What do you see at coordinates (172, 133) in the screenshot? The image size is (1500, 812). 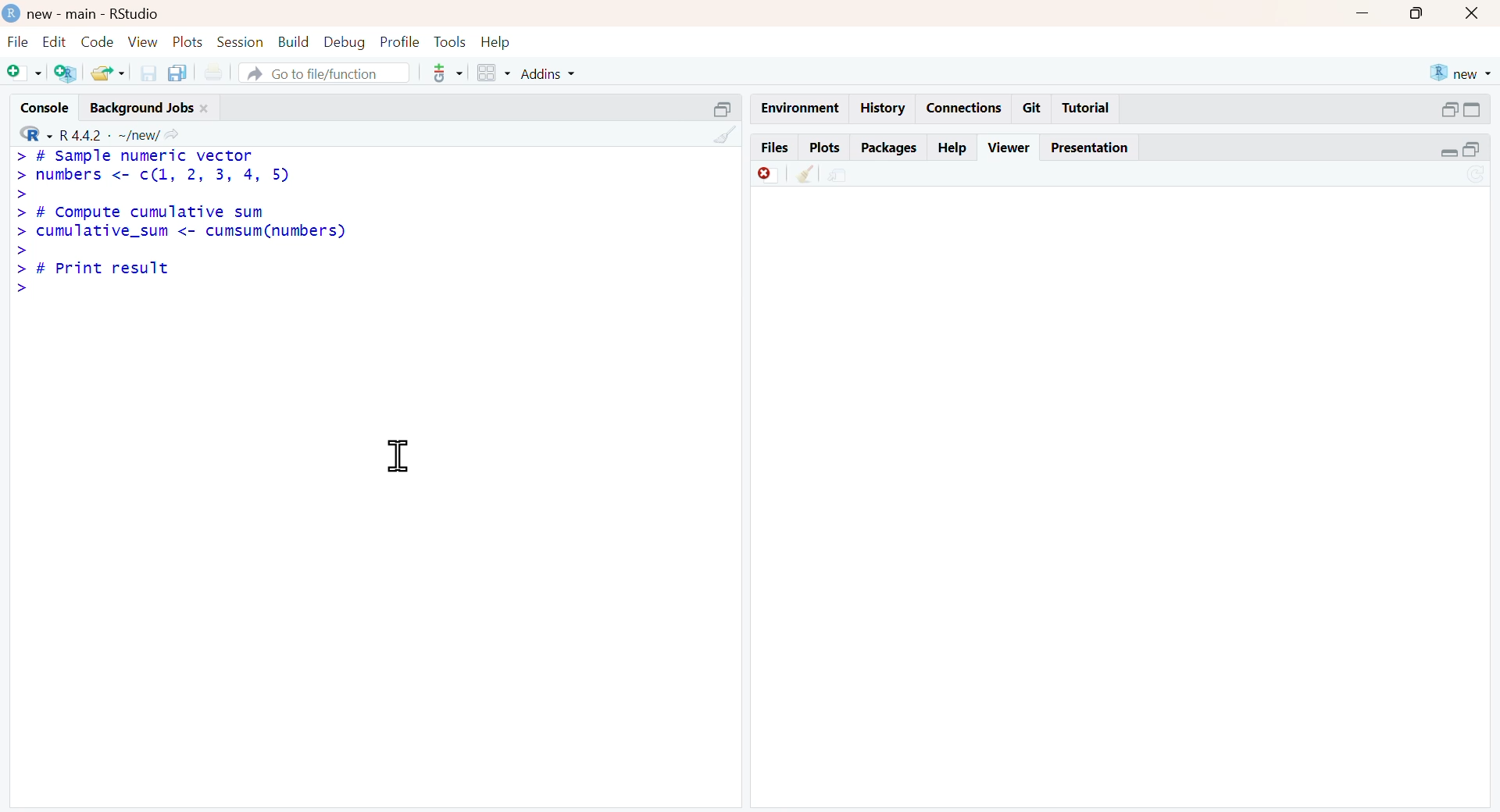 I see `Share icon` at bounding box center [172, 133].